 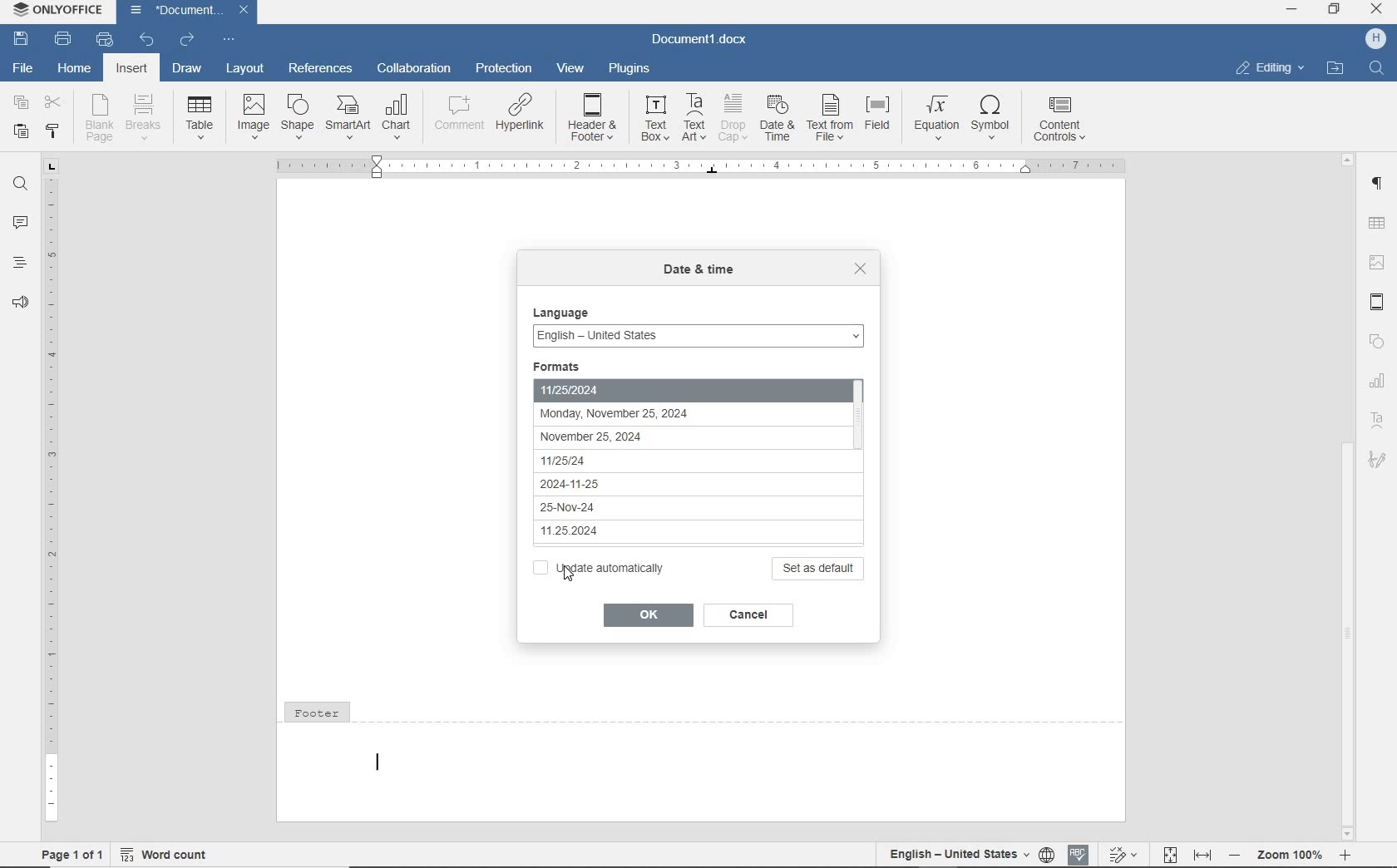 I want to click on footer, so click(x=703, y=758).